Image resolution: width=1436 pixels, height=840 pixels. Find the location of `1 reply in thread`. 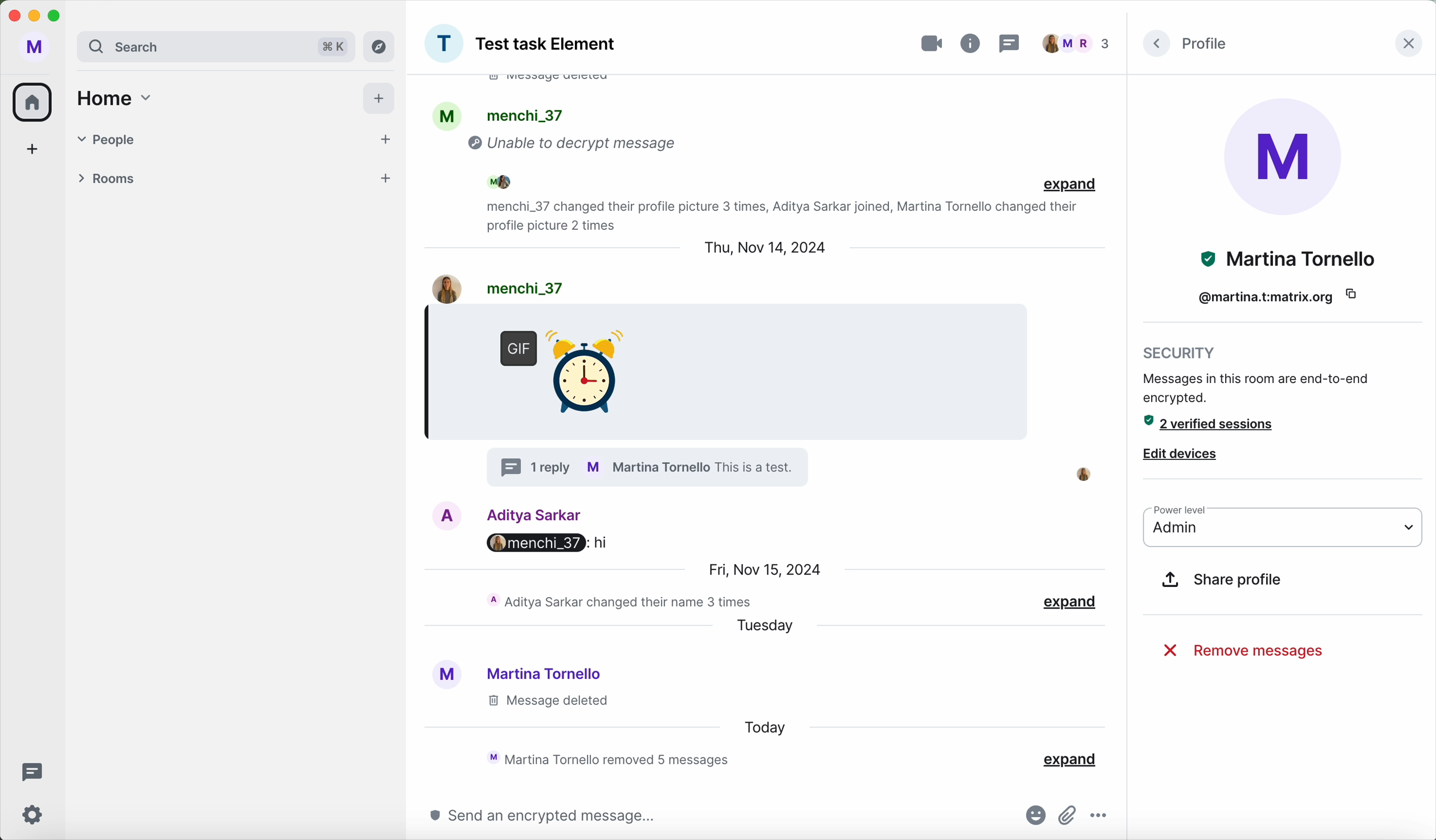

1 reply in thread is located at coordinates (651, 466).